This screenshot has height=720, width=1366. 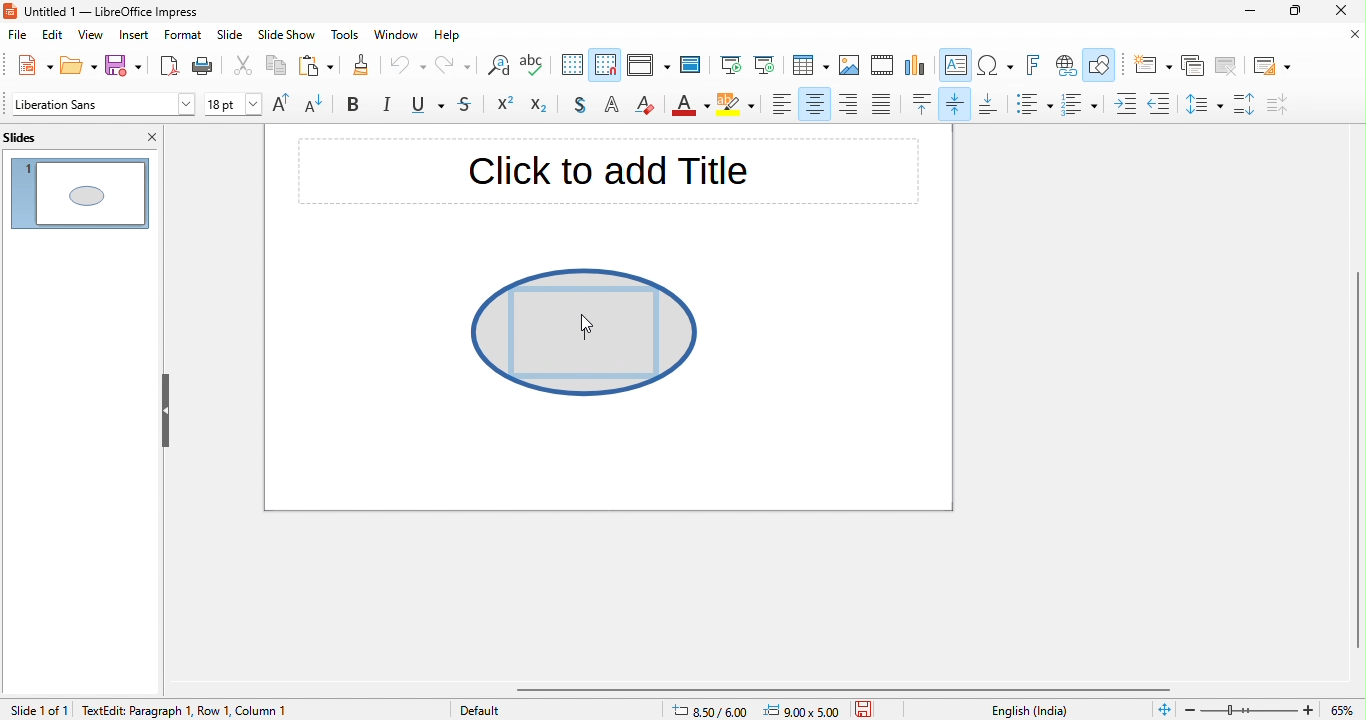 What do you see at coordinates (1247, 105) in the screenshot?
I see `increase paragraph spacing` at bounding box center [1247, 105].